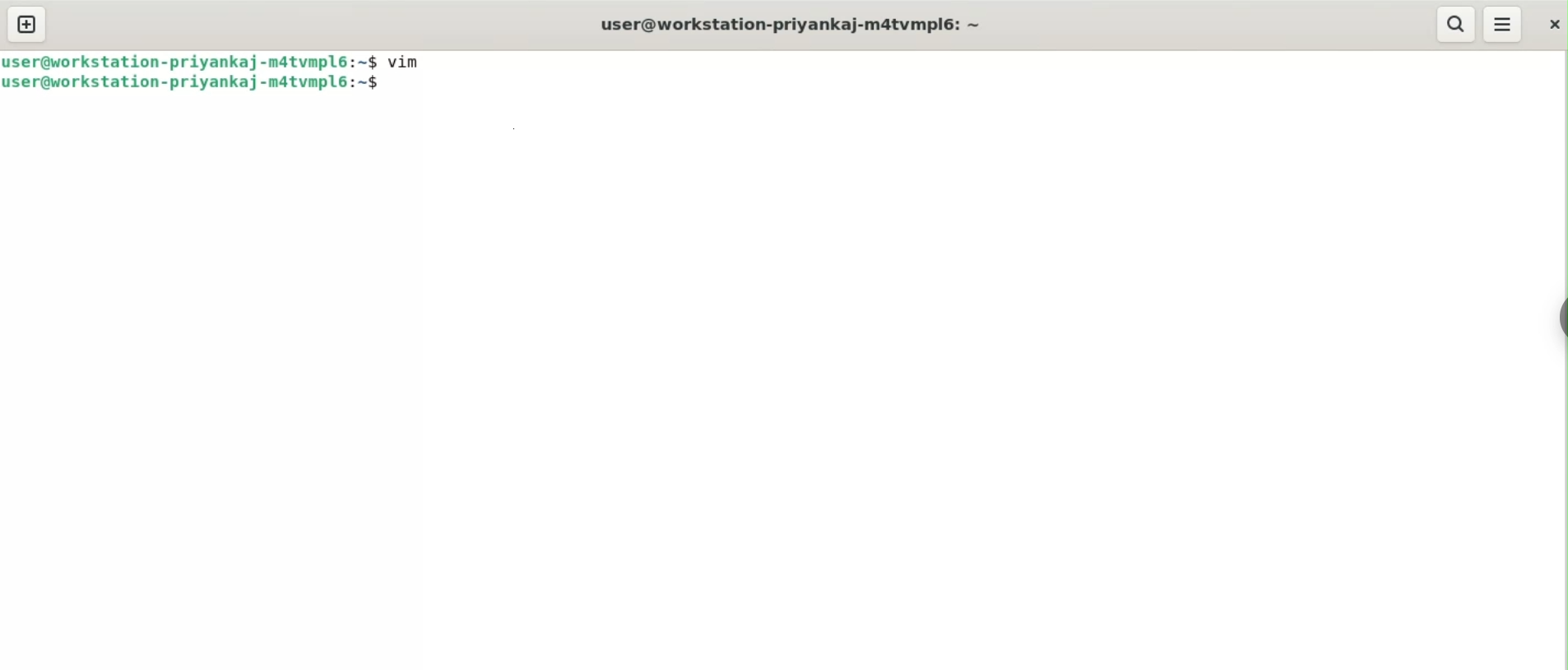 Image resolution: width=1568 pixels, height=670 pixels. Describe the element at coordinates (1456, 24) in the screenshot. I see `search` at that location.